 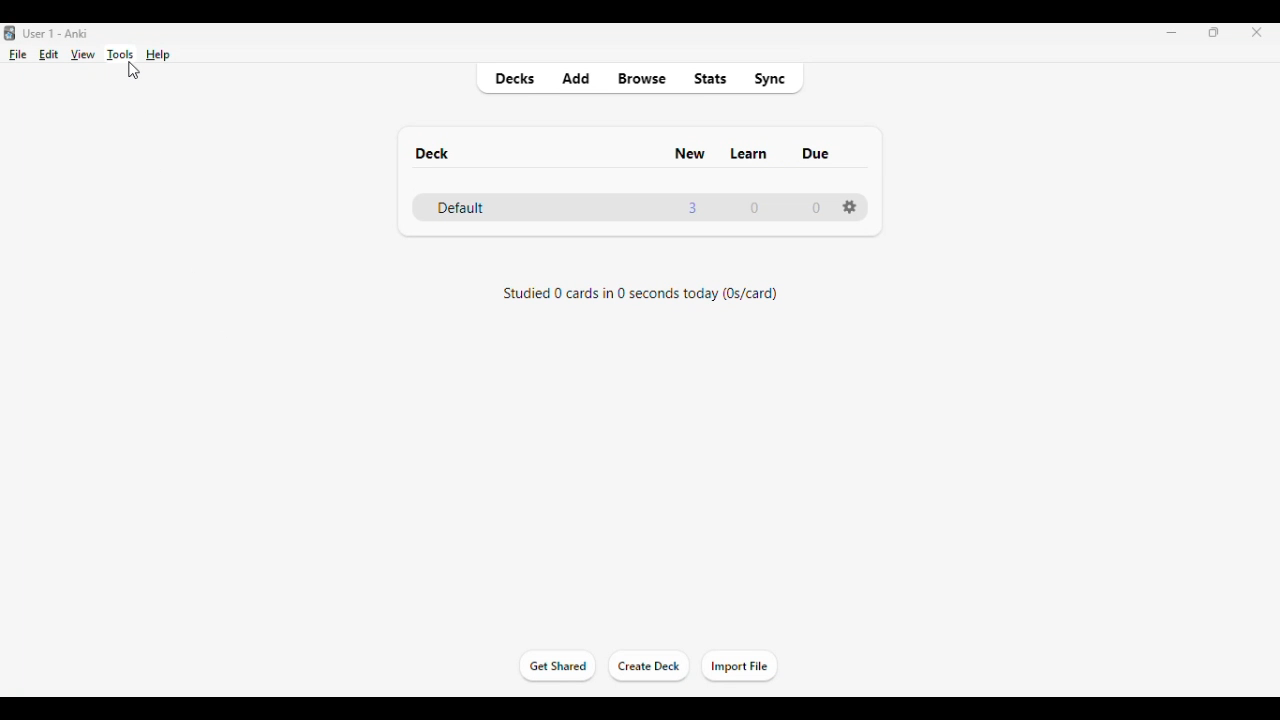 I want to click on stats, so click(x=711, y=78).